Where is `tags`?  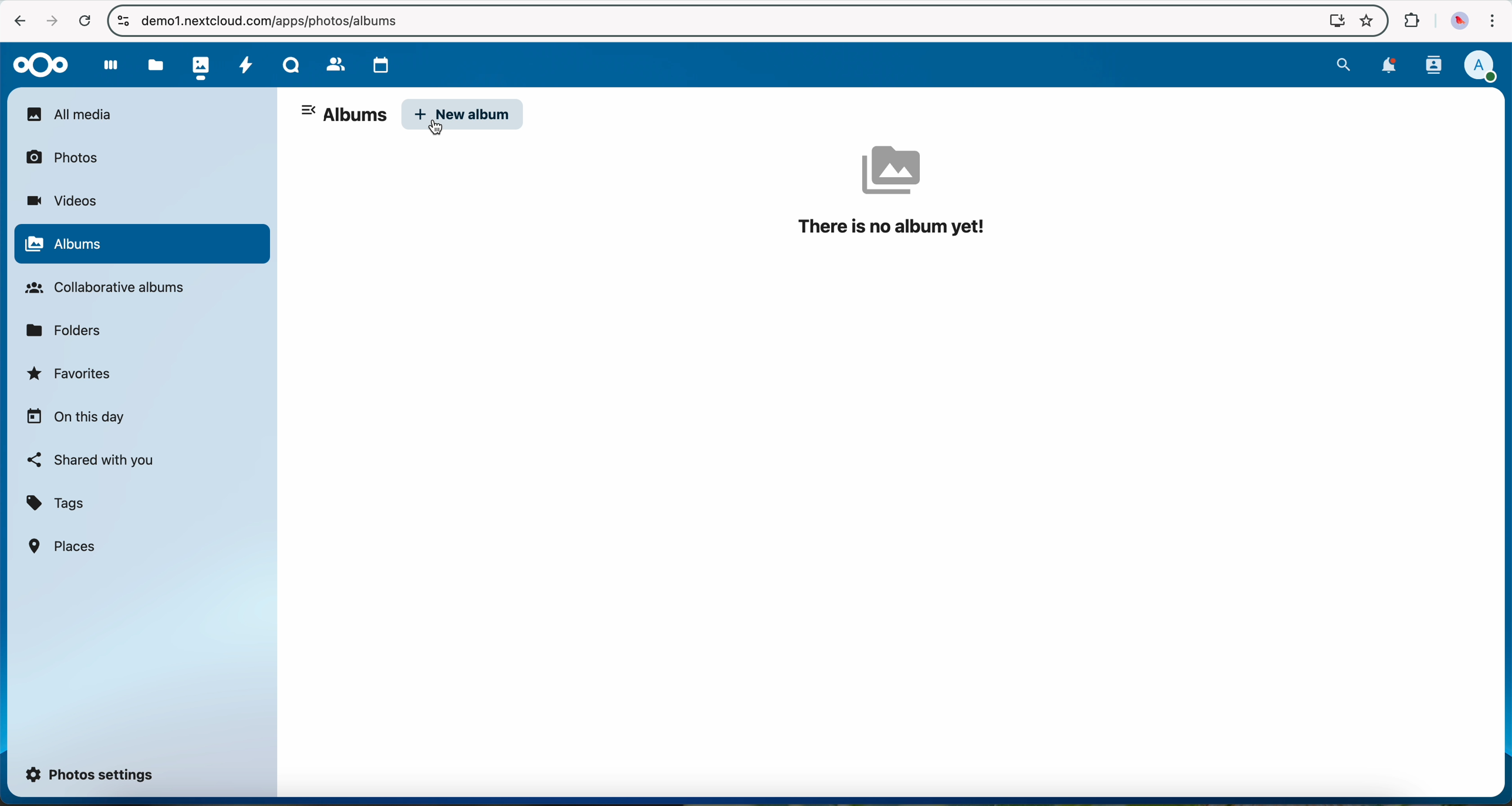
tags is located at coordinates (56, 504).